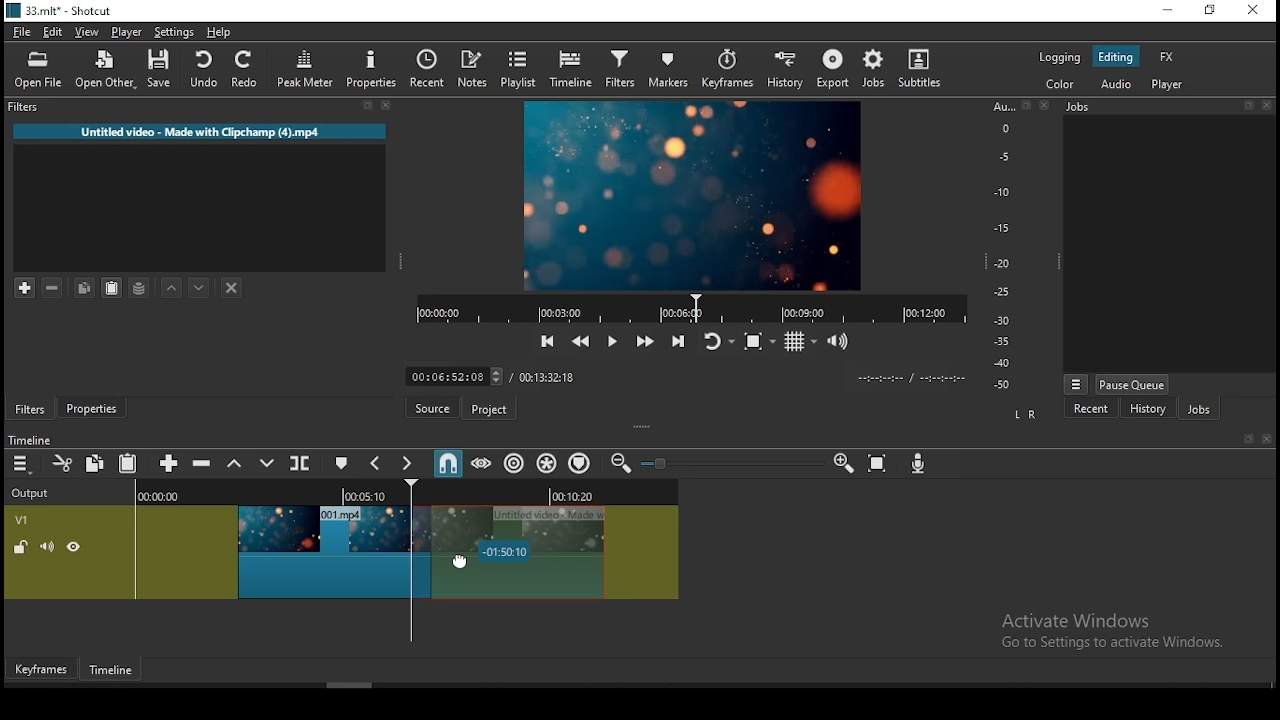 This screenshot has width=1280, height=720. Describe the element at coordinates (41, 667) in the screenshot. I see `Keyframe` at that location.